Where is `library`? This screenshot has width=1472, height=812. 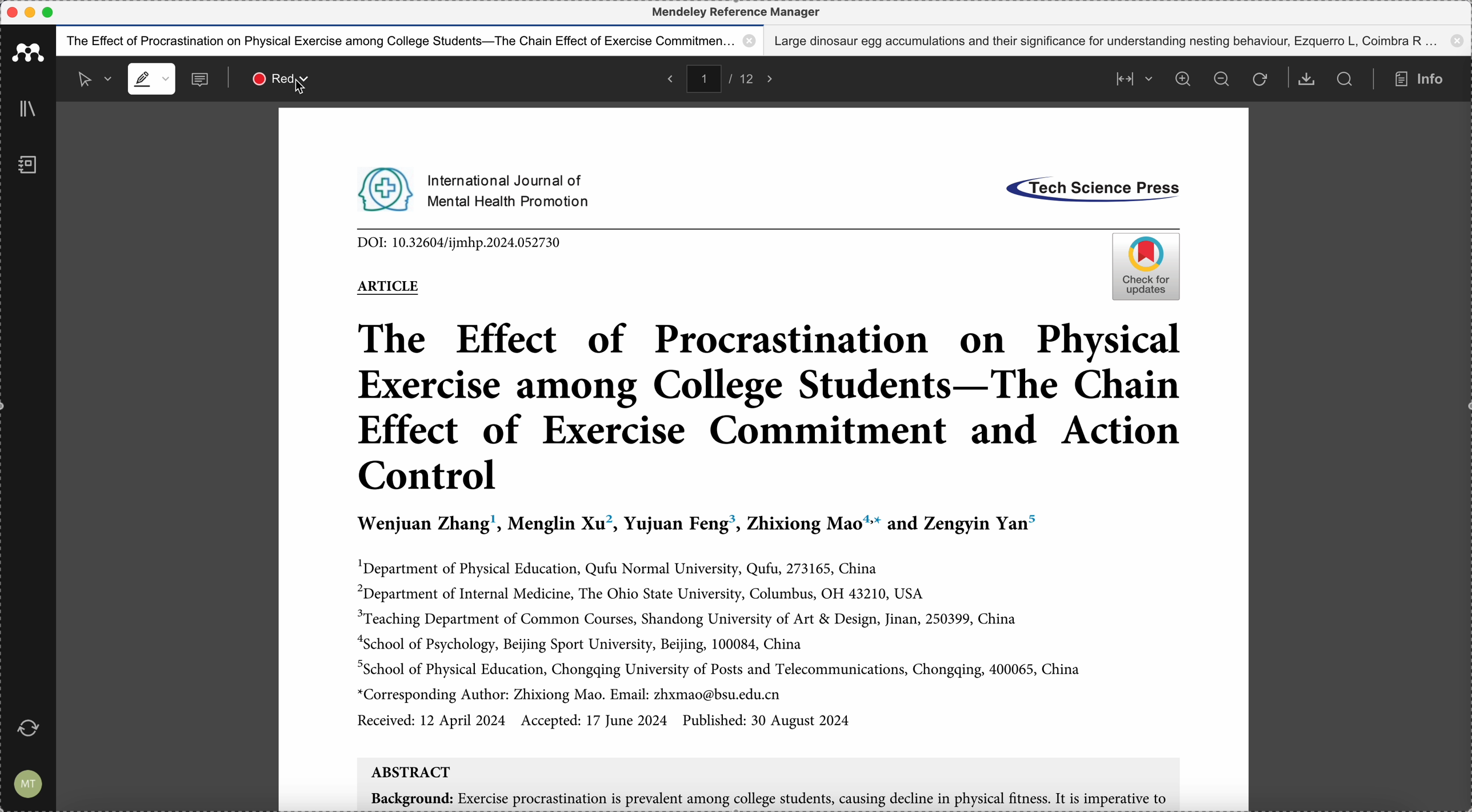 library is located at coordinates (30, 110).